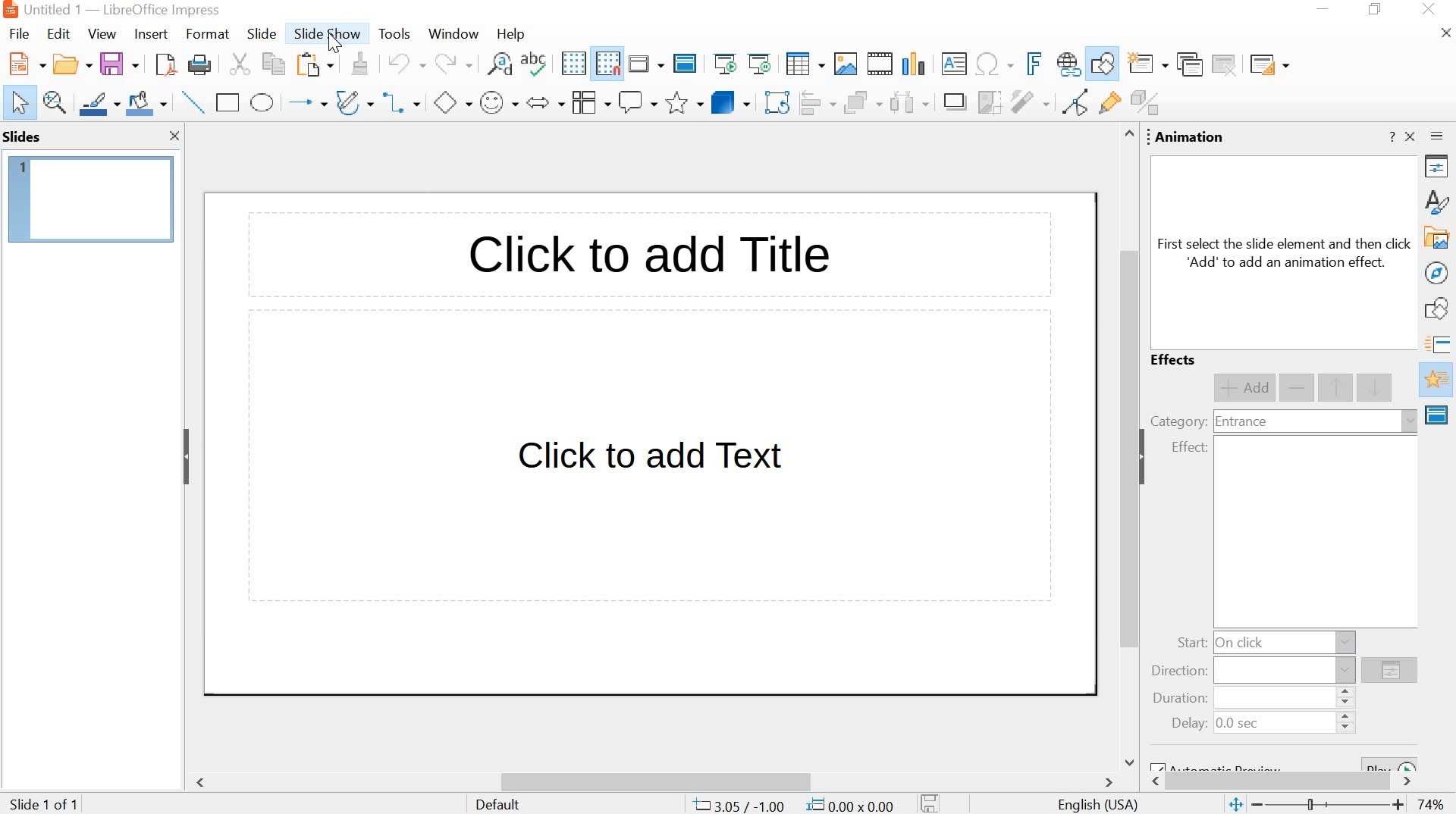  I want to click on animation, so click(1191, 138).